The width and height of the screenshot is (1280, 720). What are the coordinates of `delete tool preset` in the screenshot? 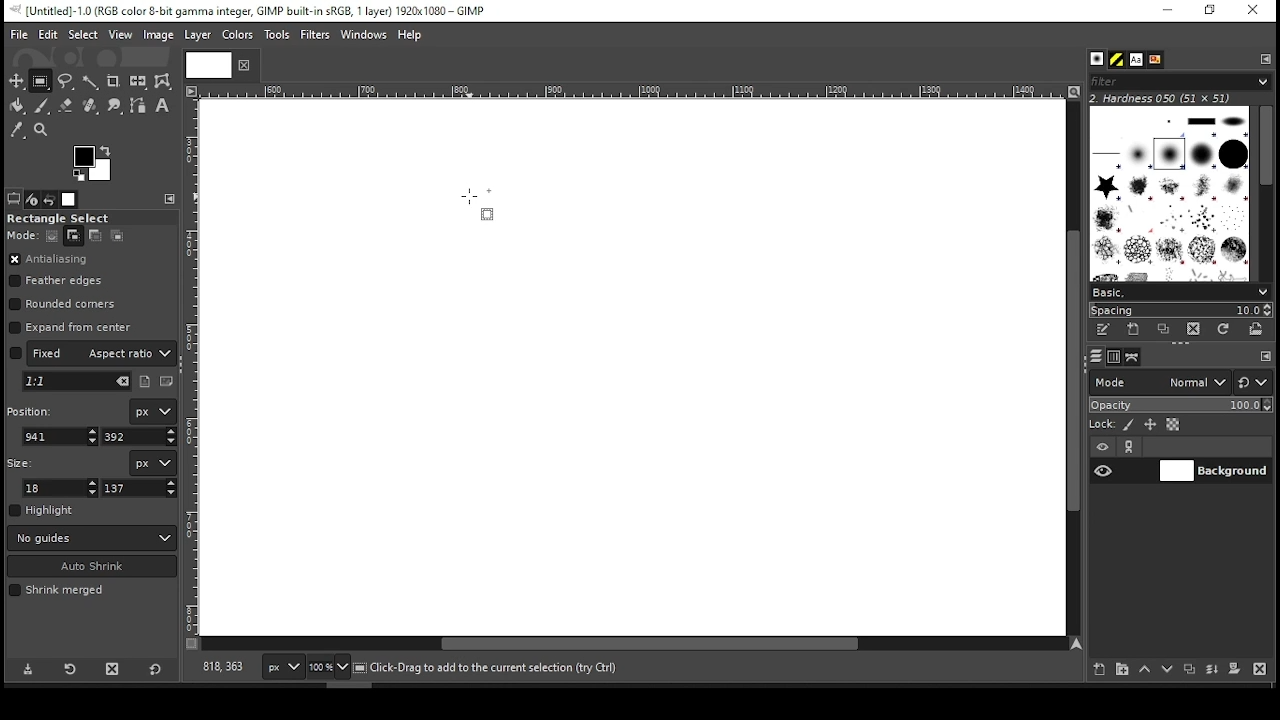 It's located at (118, 668).